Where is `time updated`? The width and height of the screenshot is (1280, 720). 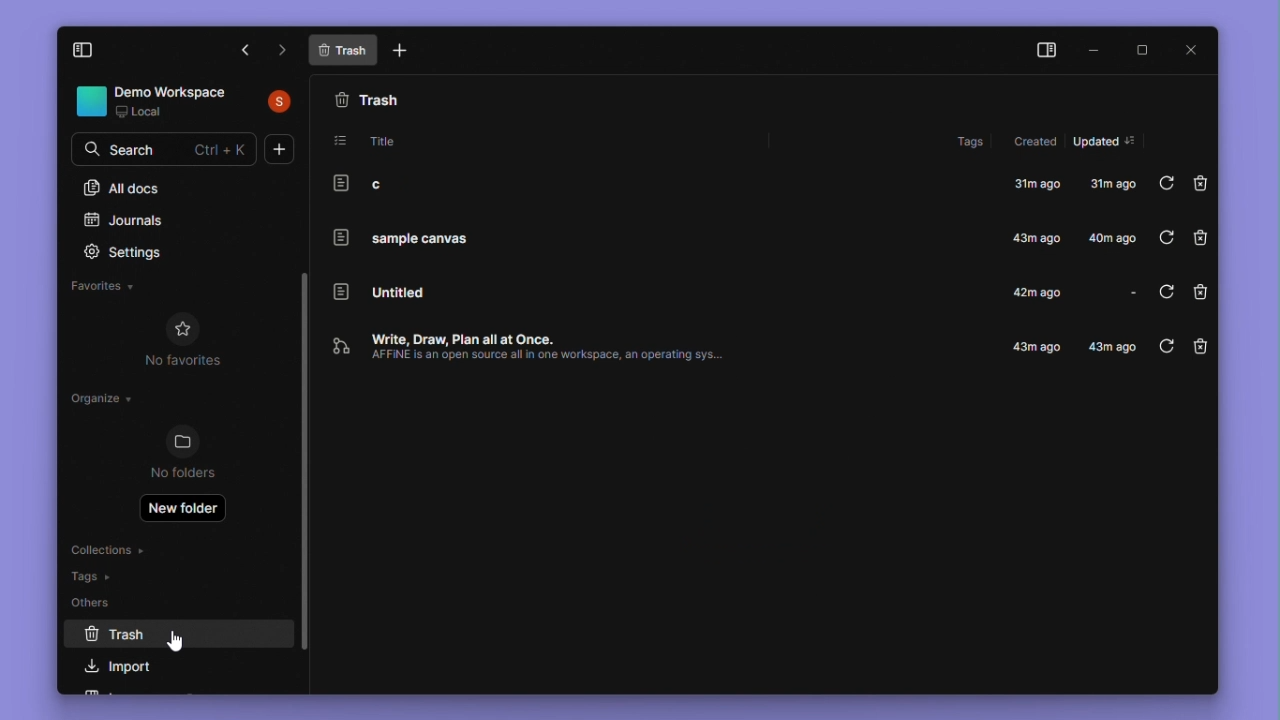
time updated is located at coordinates (1114, 348).